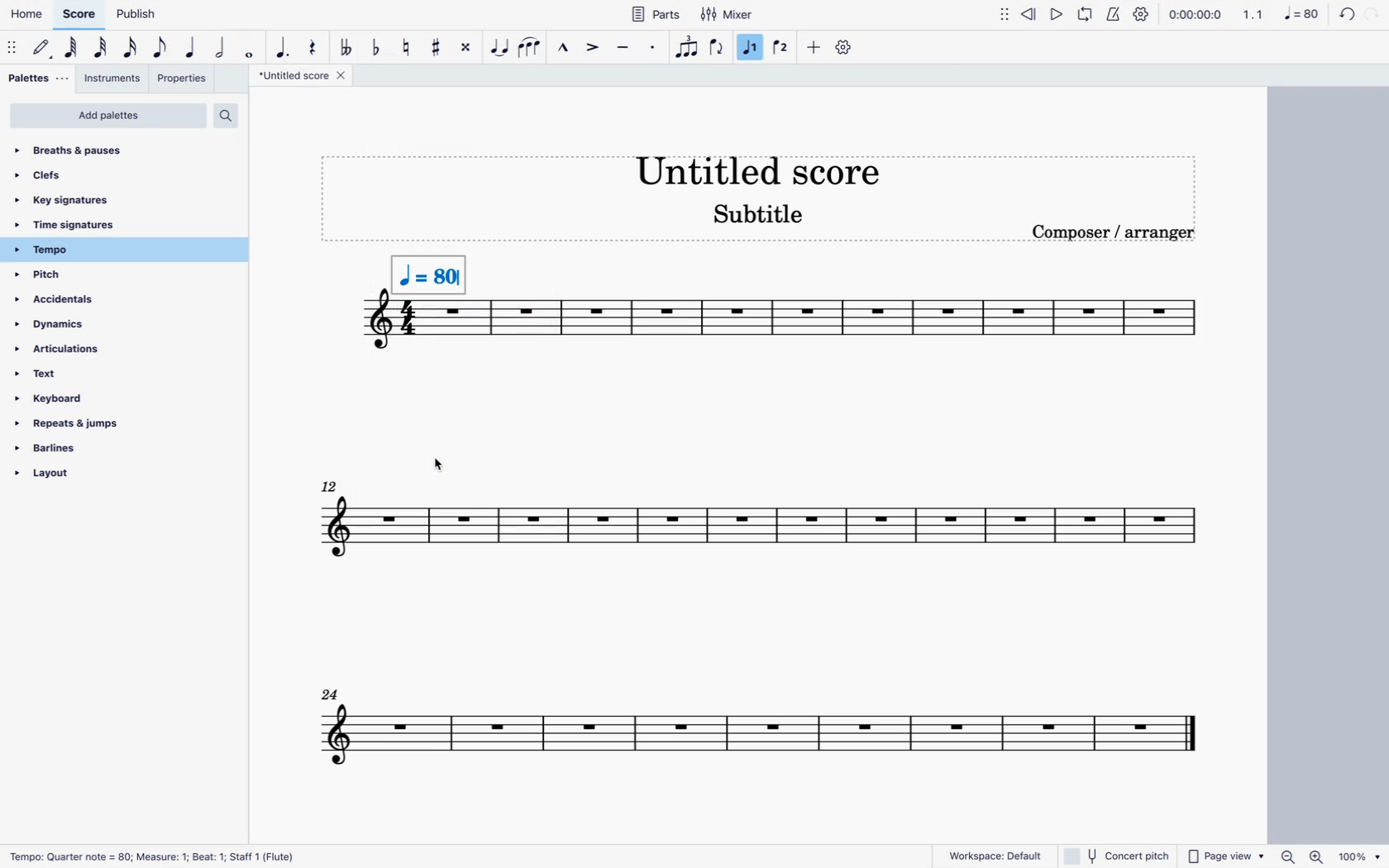 The image size is (1389, 868). What do you see at coordinates (649, 17) in the screenshot?
I see `parts` at bounding box center [649, 17].